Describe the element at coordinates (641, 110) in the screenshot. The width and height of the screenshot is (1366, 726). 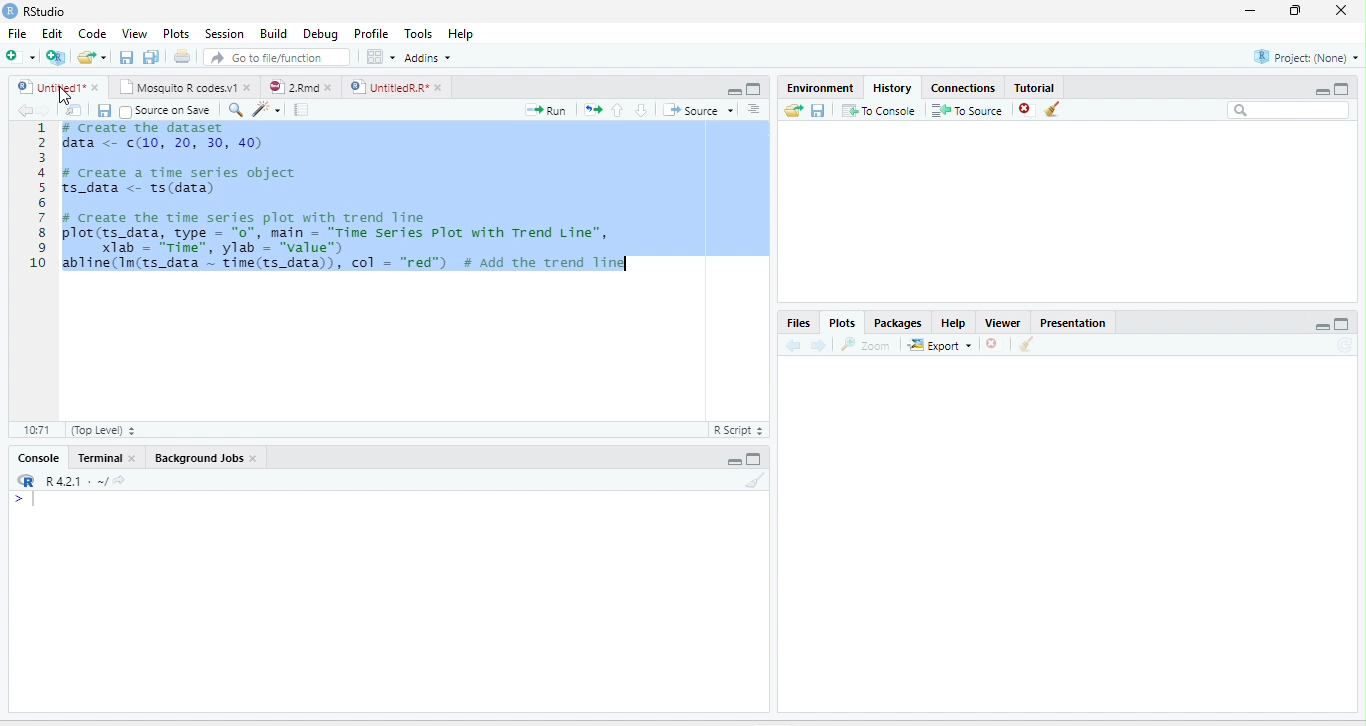
I see `Go to next section/chunk` at that location.